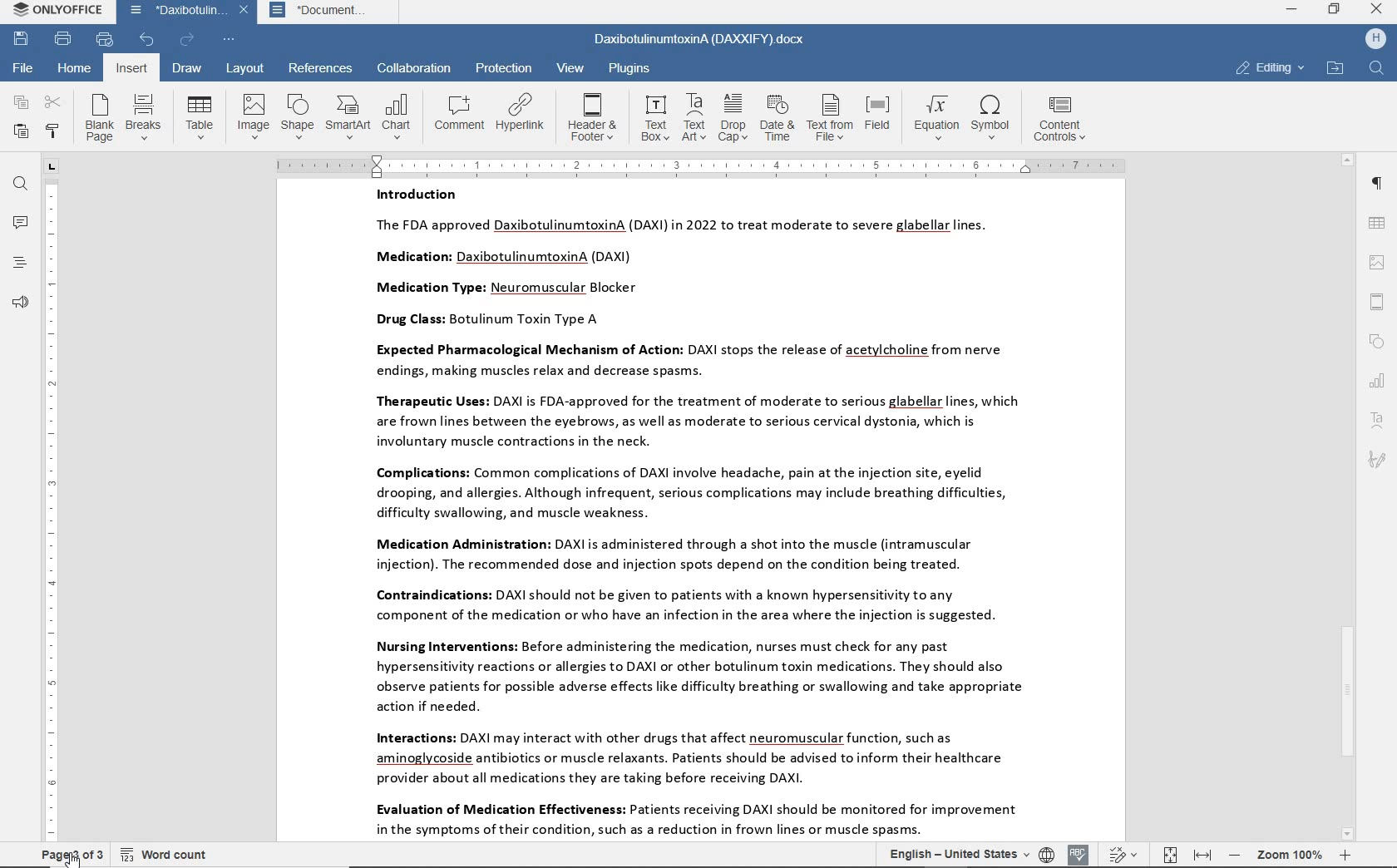 The width and height of the screenshot is (1397, 868). What do you see at coordinates (694, 117) in the screenshot?
I see `text art` at bounding box center [694, 117].